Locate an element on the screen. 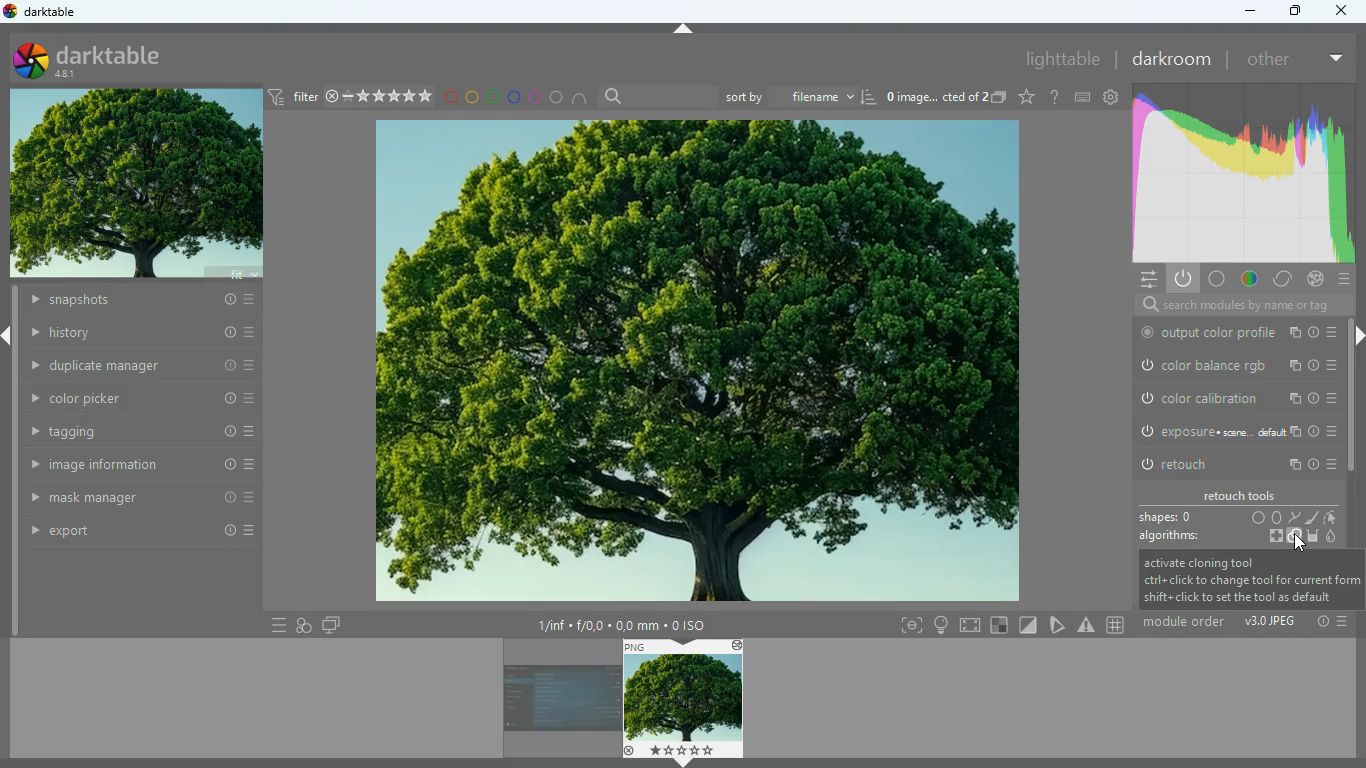  darkroom is located at coordinates (1172, 60).